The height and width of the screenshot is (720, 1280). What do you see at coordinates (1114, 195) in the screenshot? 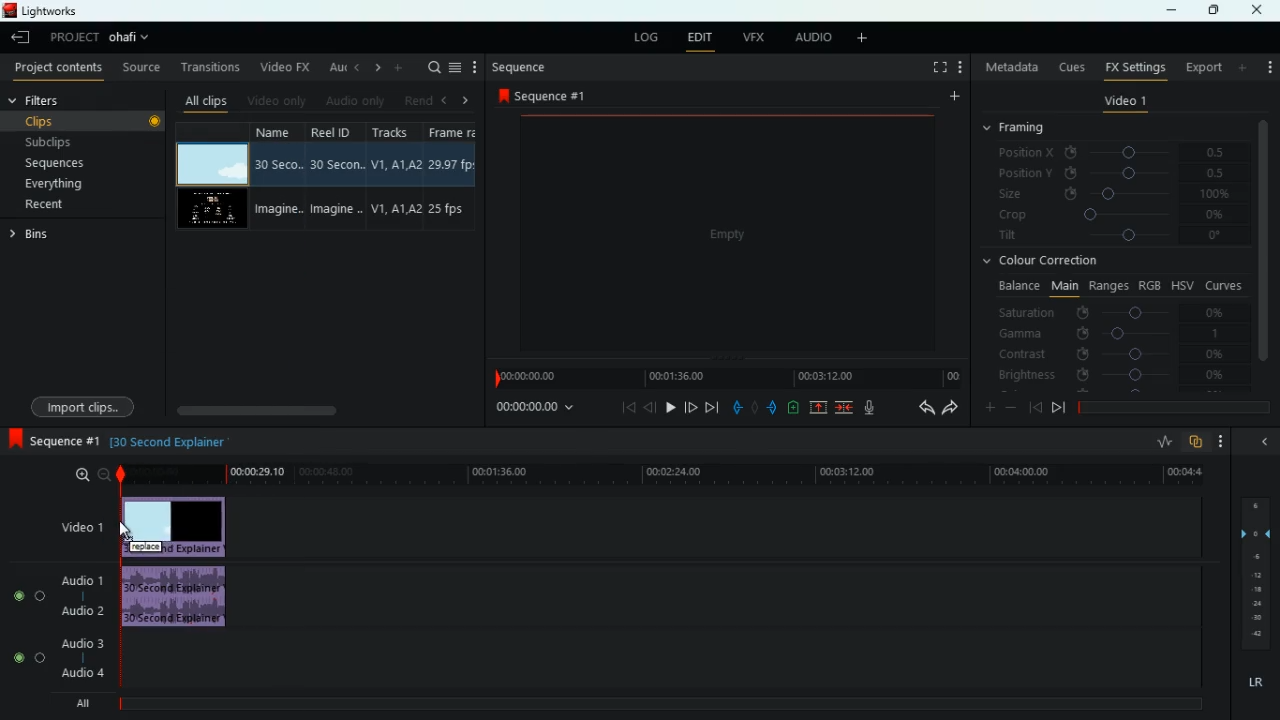
I see `size` at bounding box center [1114, 195].